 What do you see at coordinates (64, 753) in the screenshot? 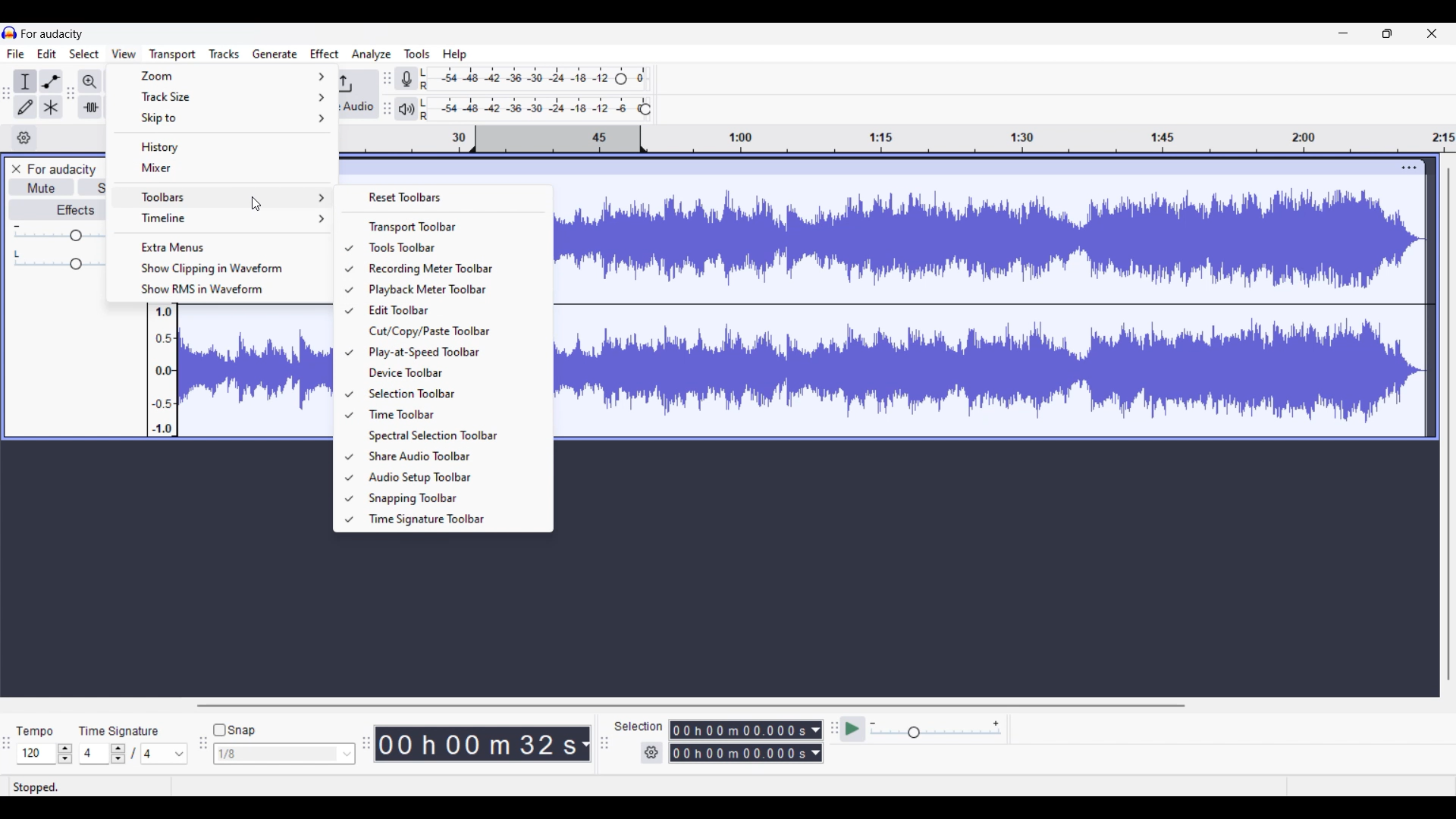
I see `Increase/Decrease tempo` at bounding box center [64, 753].